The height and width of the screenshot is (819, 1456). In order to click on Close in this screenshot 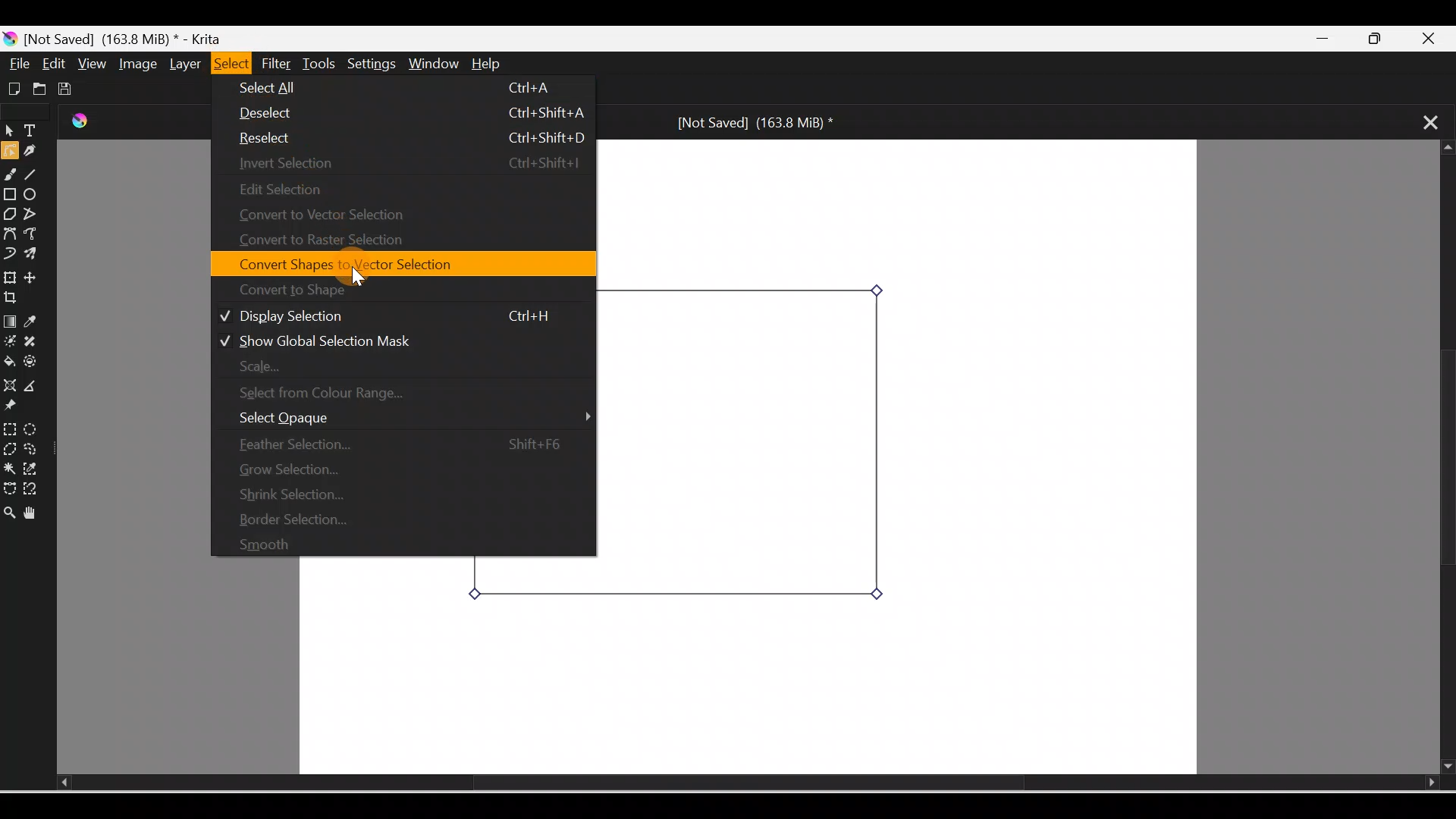, I will do `click(1436, 36)`.